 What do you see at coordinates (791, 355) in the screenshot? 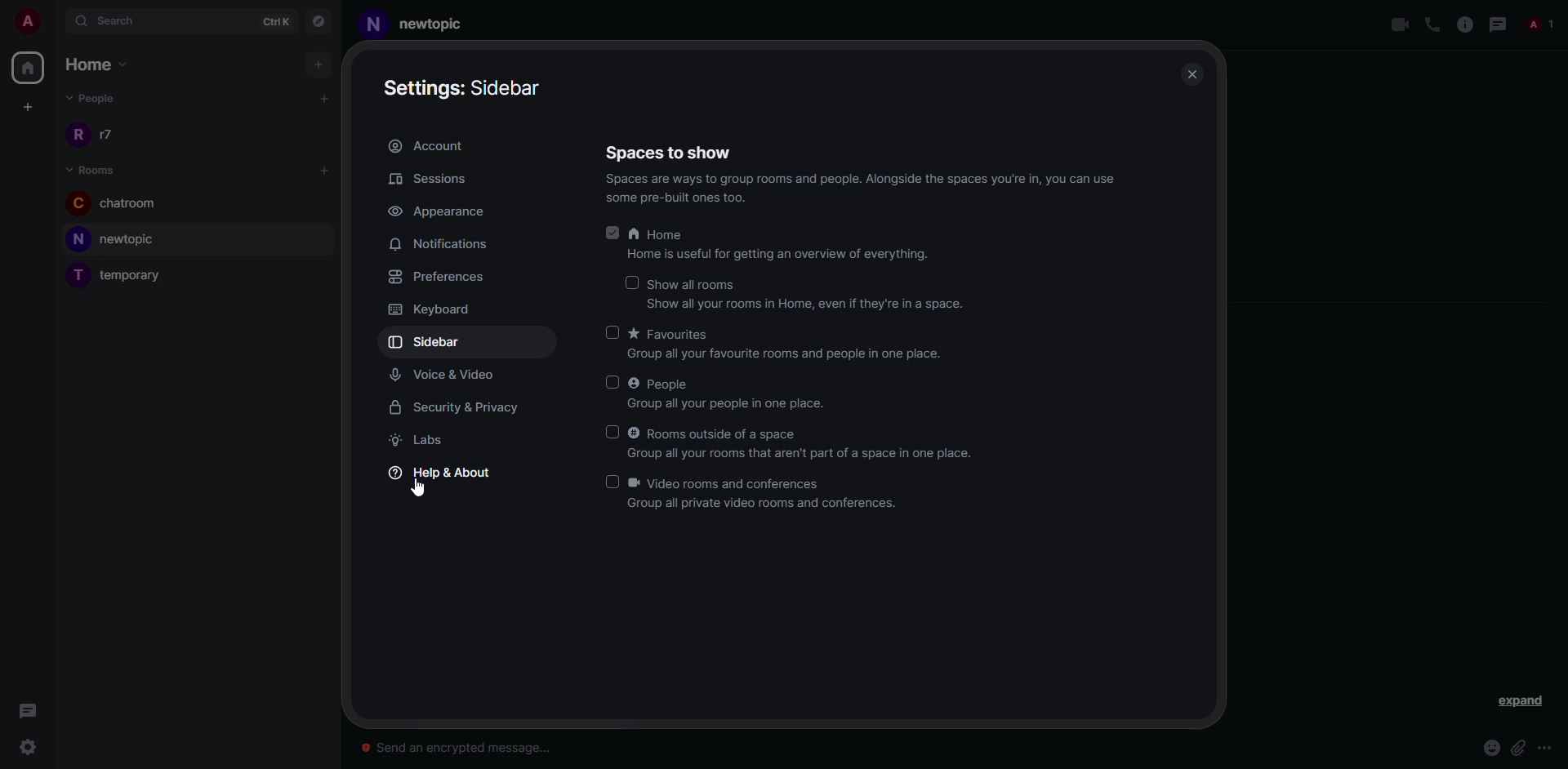
I see `info` at bounding box center [791, 355].